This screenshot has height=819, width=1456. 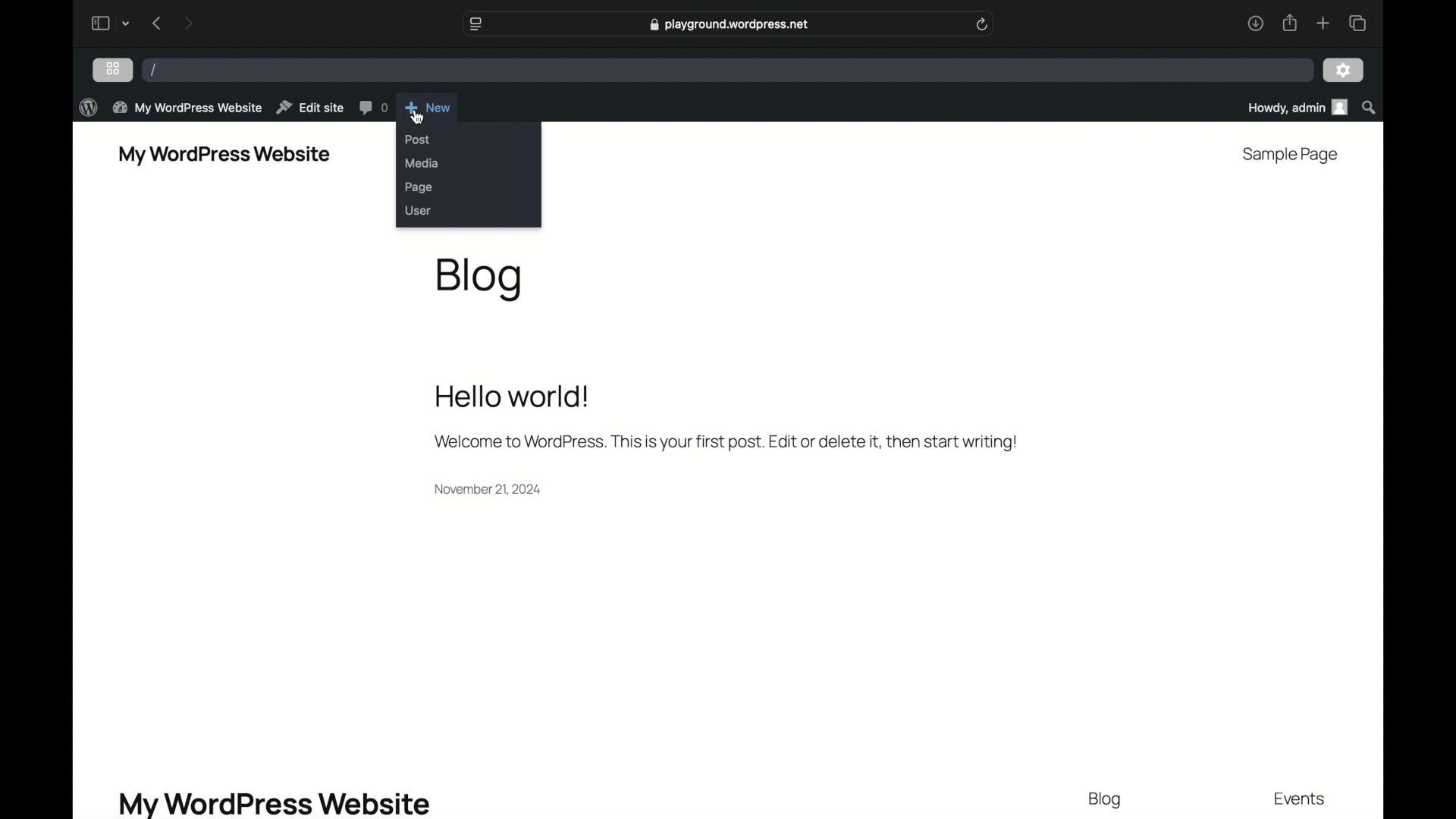 I want to click on post, so click(x=418, y=140).